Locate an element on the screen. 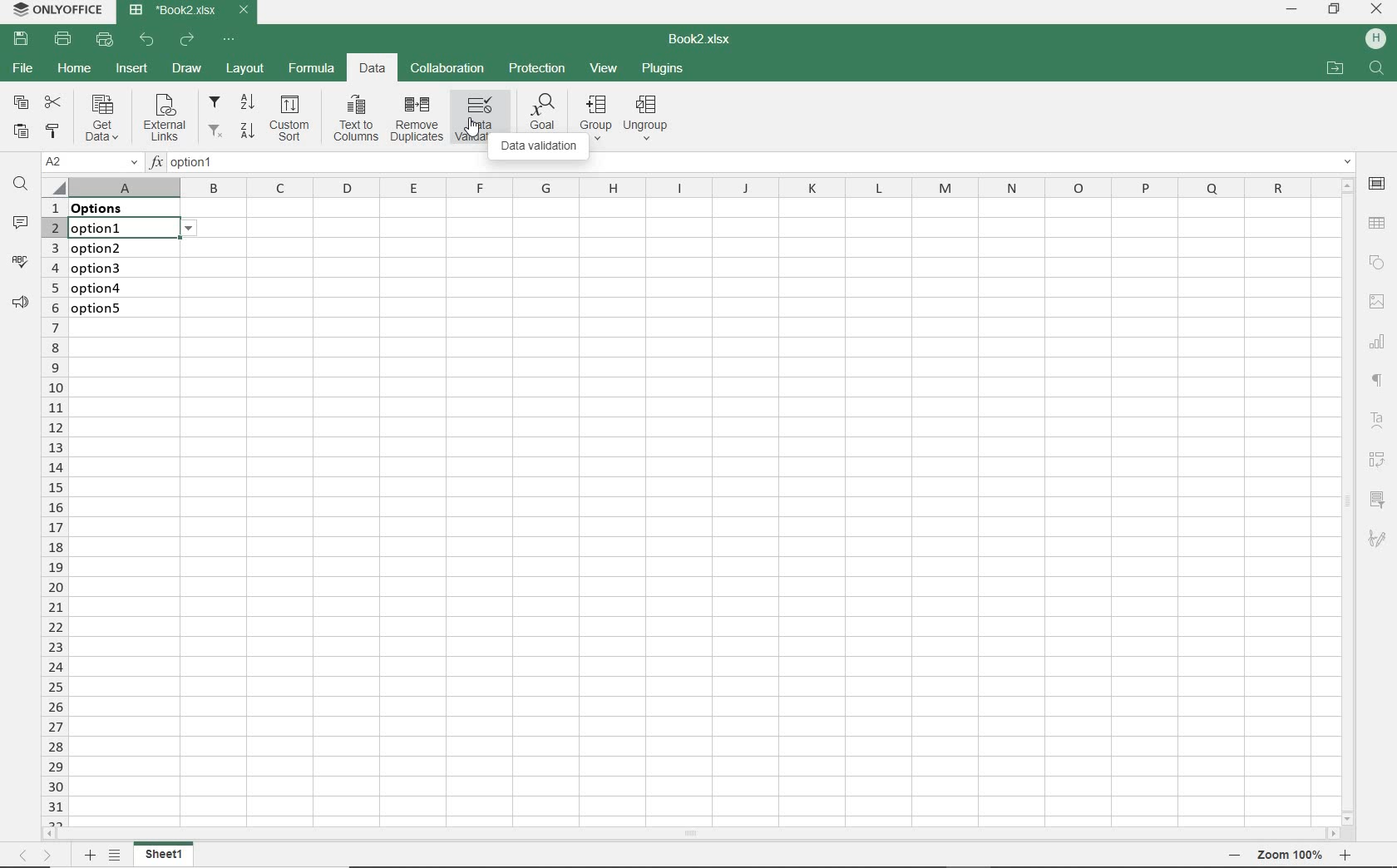  SCROLLBAR is located at coordinates (691, 832).